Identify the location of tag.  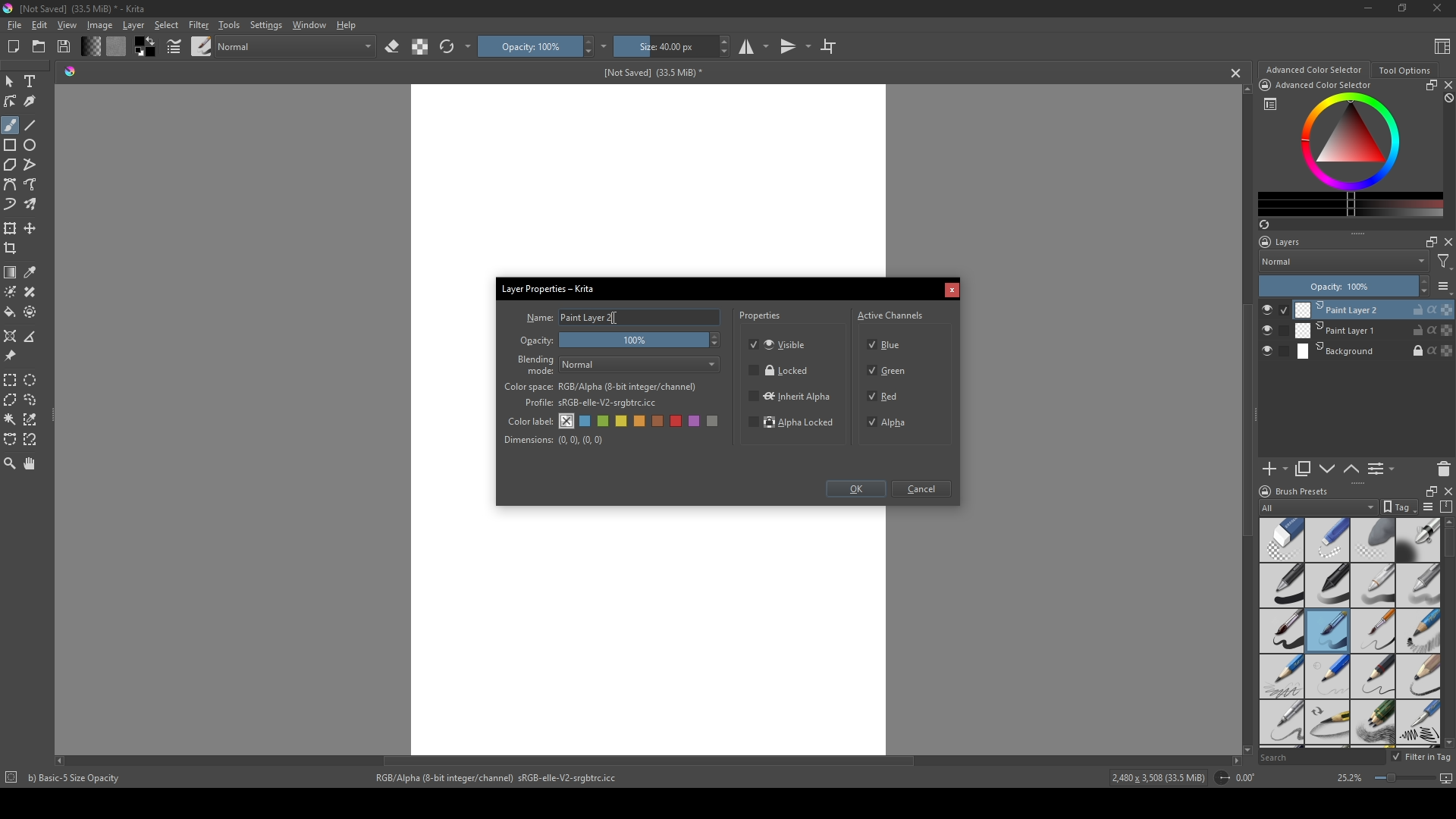
(1398, 507).